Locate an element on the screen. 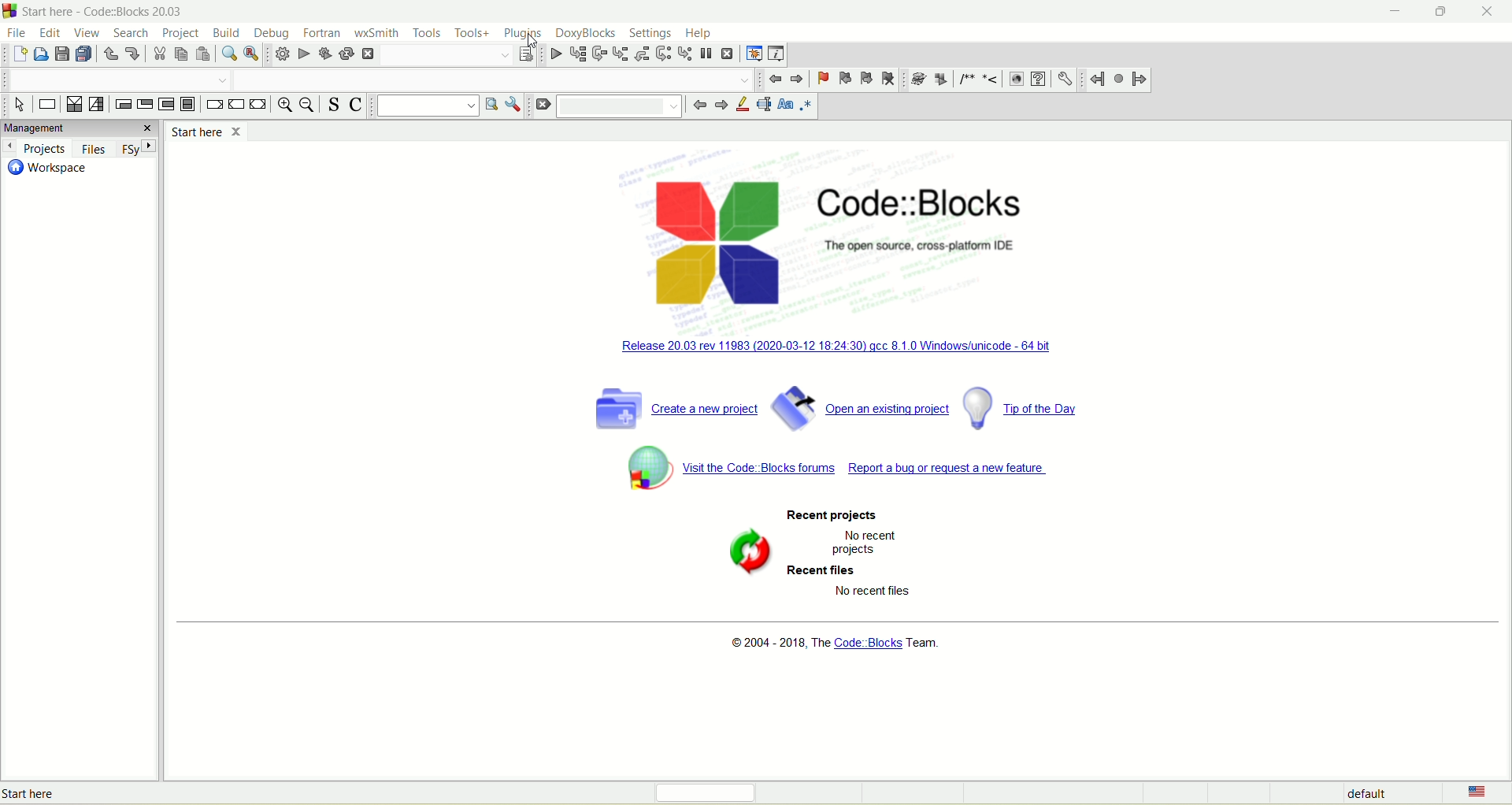 This screenshot has height=805, width=1512. highlight is located at coordinates (743, 104).